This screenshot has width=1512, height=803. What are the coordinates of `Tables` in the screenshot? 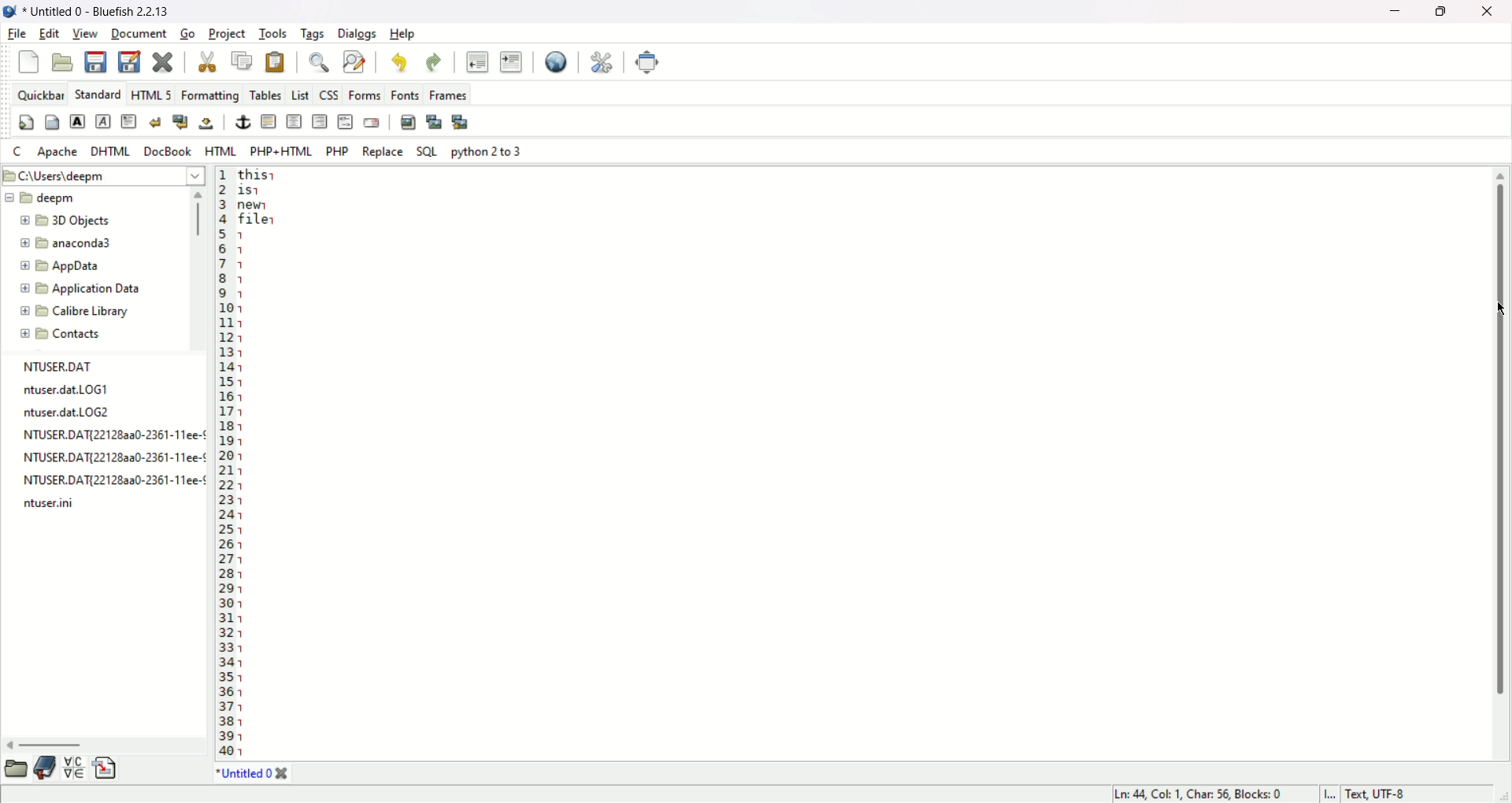 It's located at (266, 92).